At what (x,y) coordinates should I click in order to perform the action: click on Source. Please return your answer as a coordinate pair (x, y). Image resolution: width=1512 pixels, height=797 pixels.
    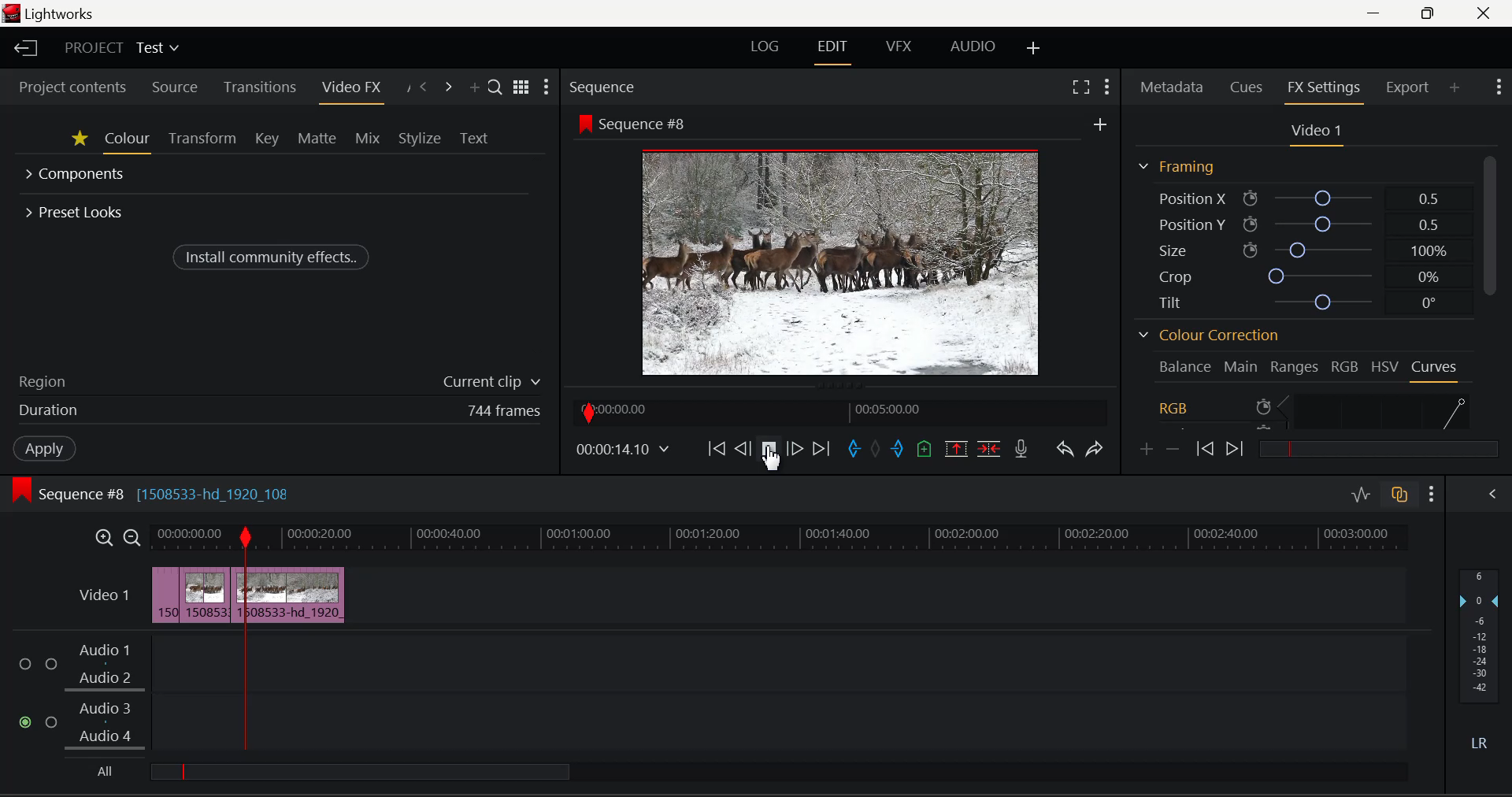
    Looking at the image, I should click on (174, 87).